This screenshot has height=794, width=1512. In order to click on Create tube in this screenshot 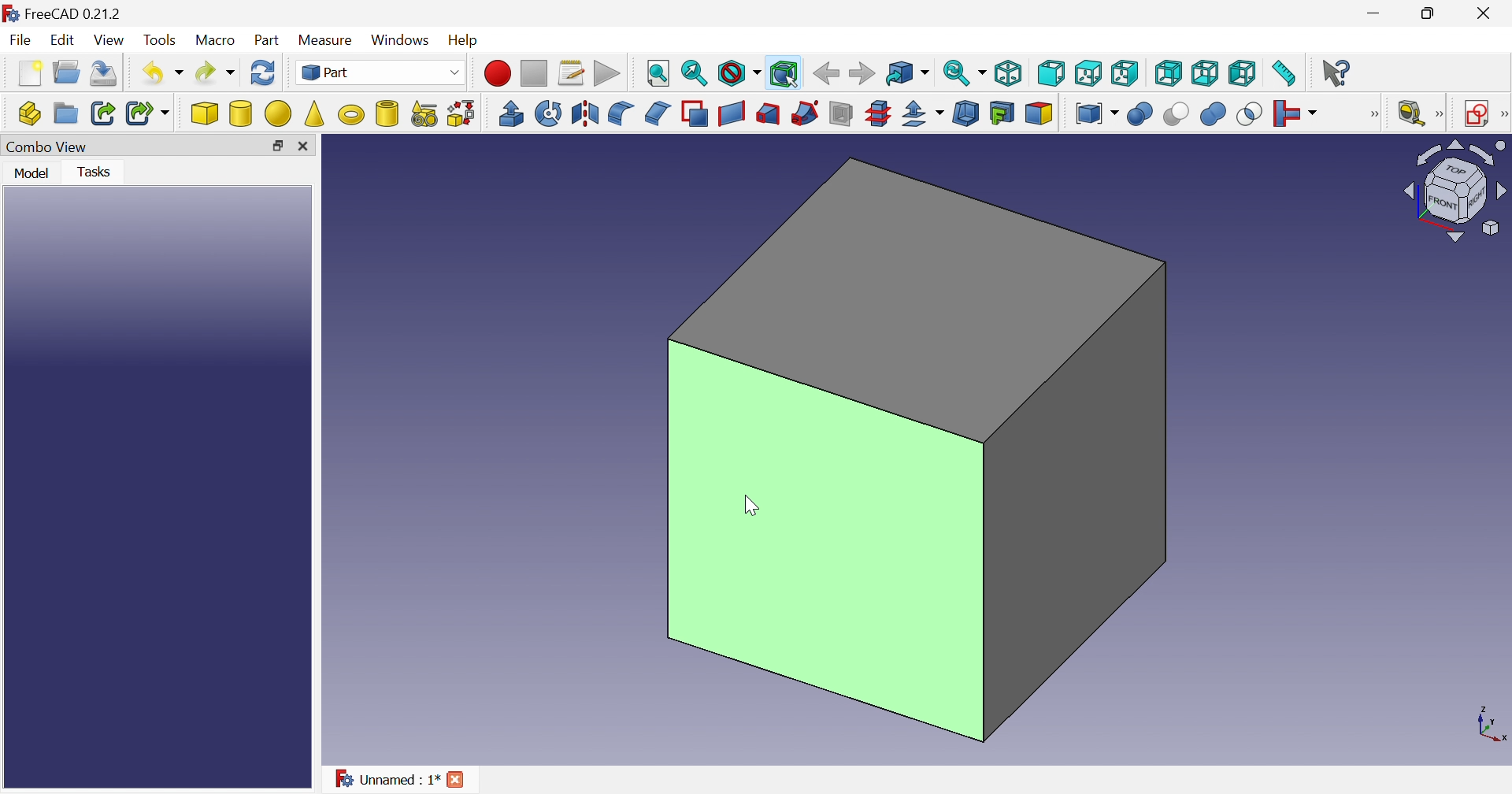, I will do `click(387, 113)`.